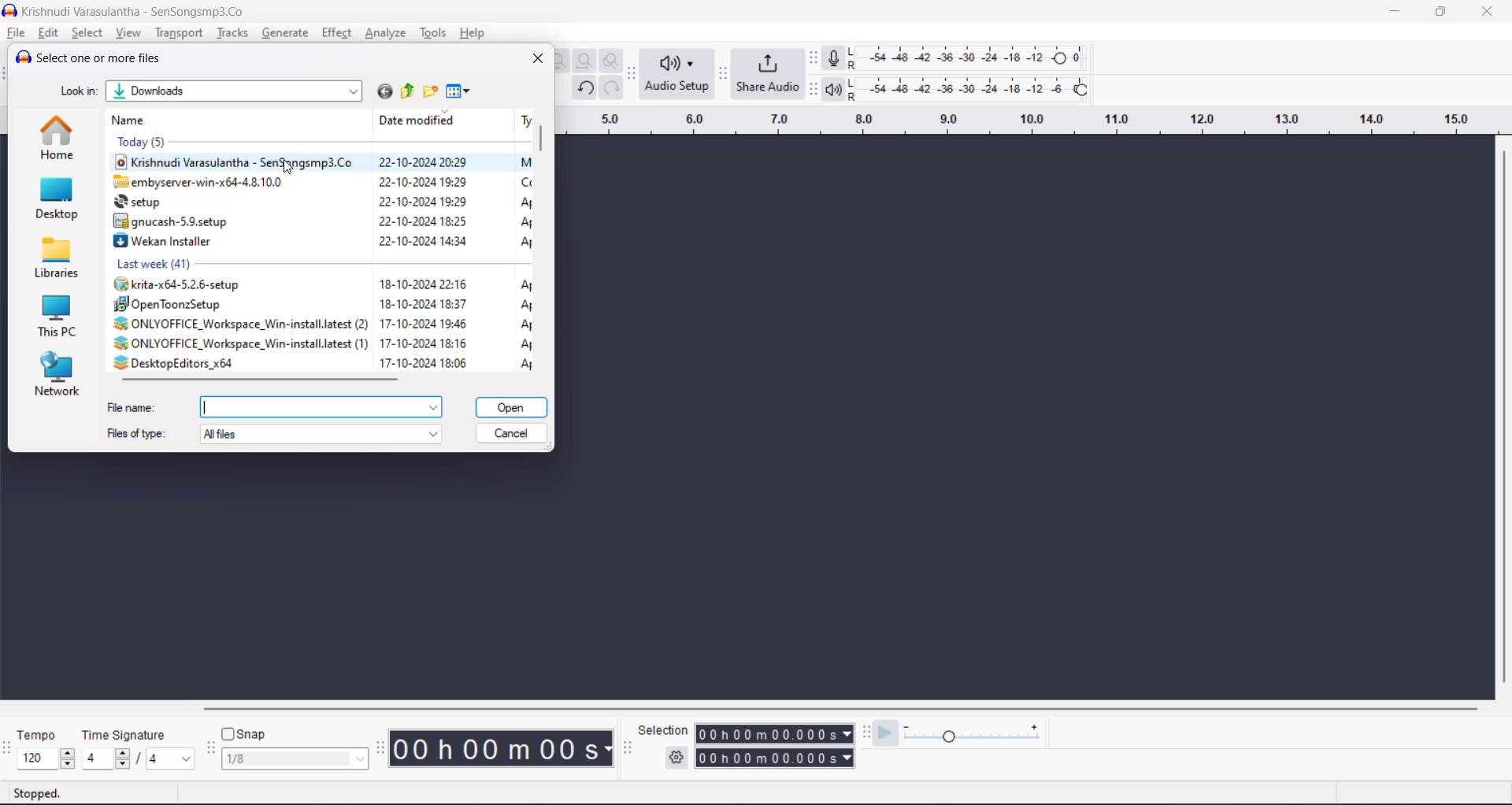  I want to click on Select one or more files, so click(96, 57).